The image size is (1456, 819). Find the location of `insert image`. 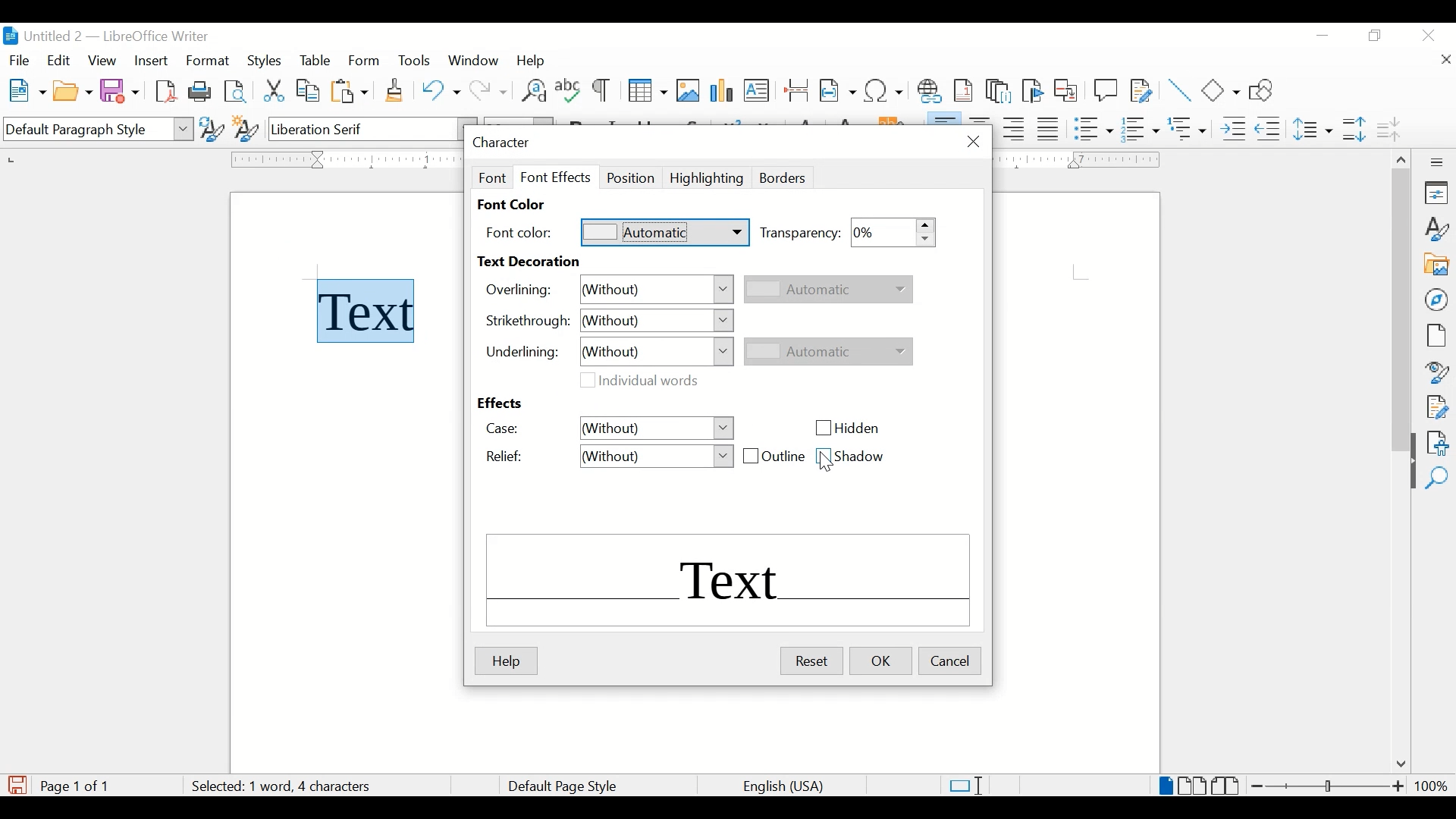

insert image is located at coordinates (689, 90).